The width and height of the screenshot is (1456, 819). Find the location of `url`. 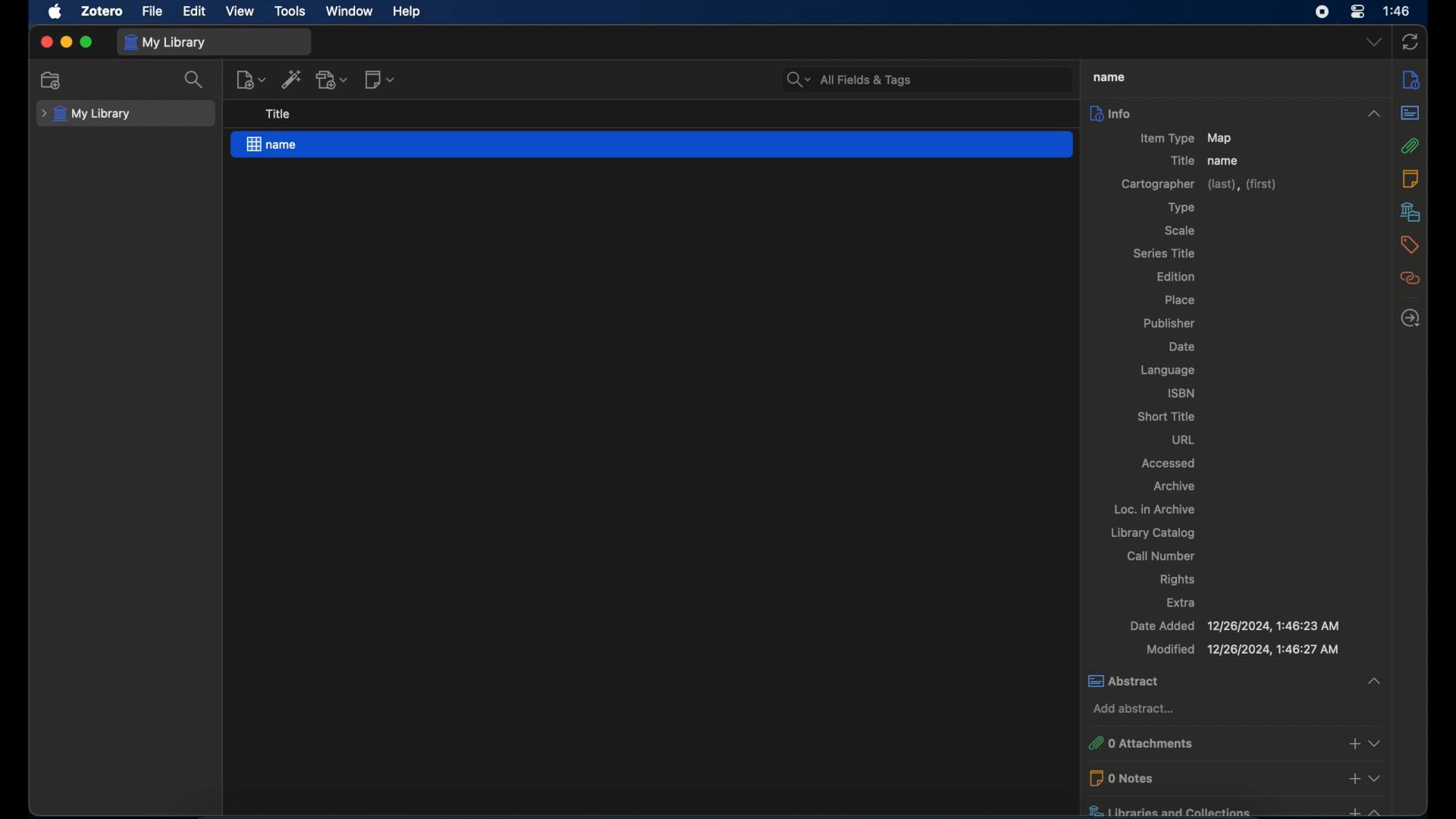

url is located at coordinates (1184, 438).